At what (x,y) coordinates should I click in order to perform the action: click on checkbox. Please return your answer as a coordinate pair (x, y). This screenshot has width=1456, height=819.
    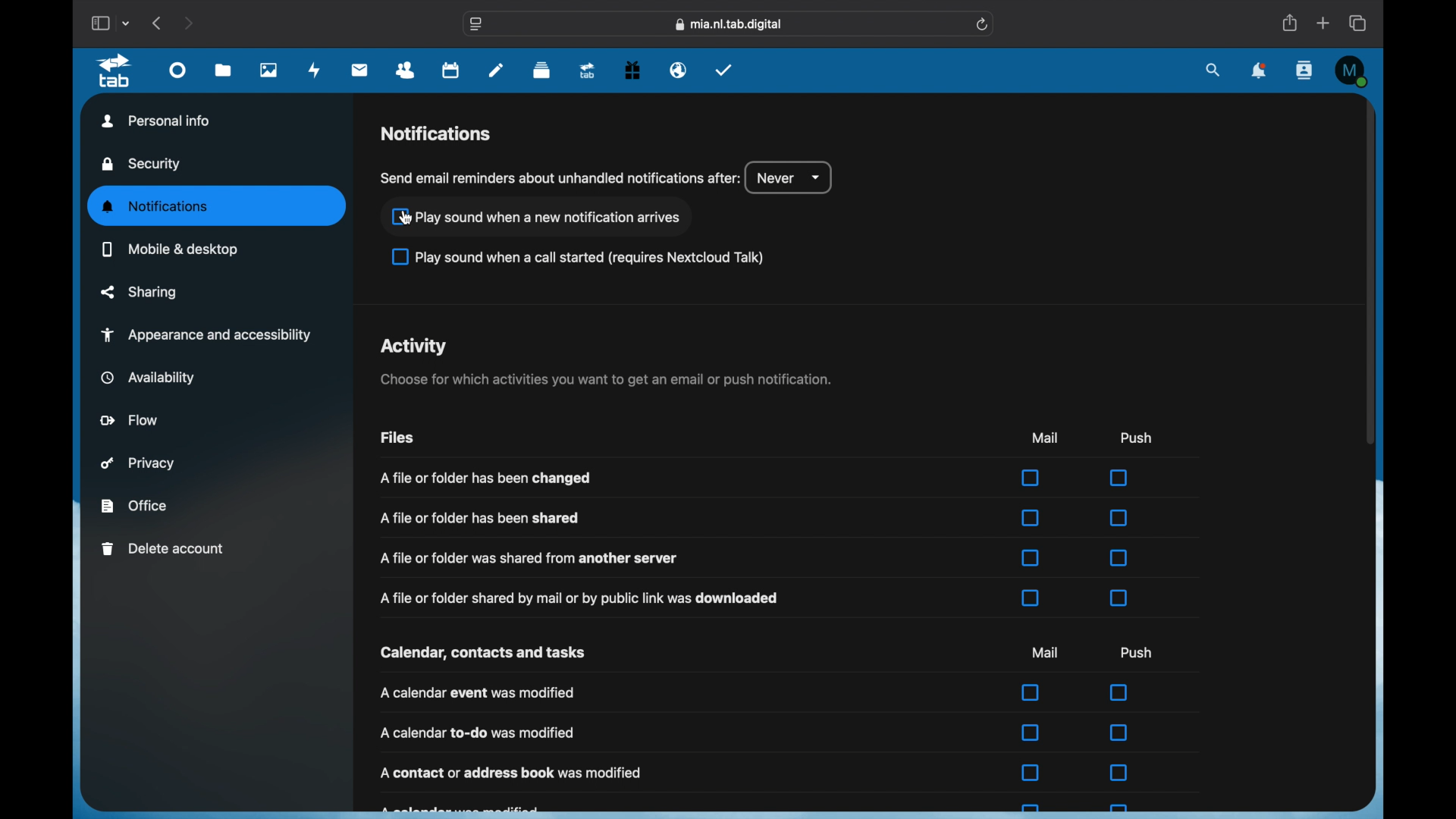
    Looking at the image, I should click on (1119, 773).